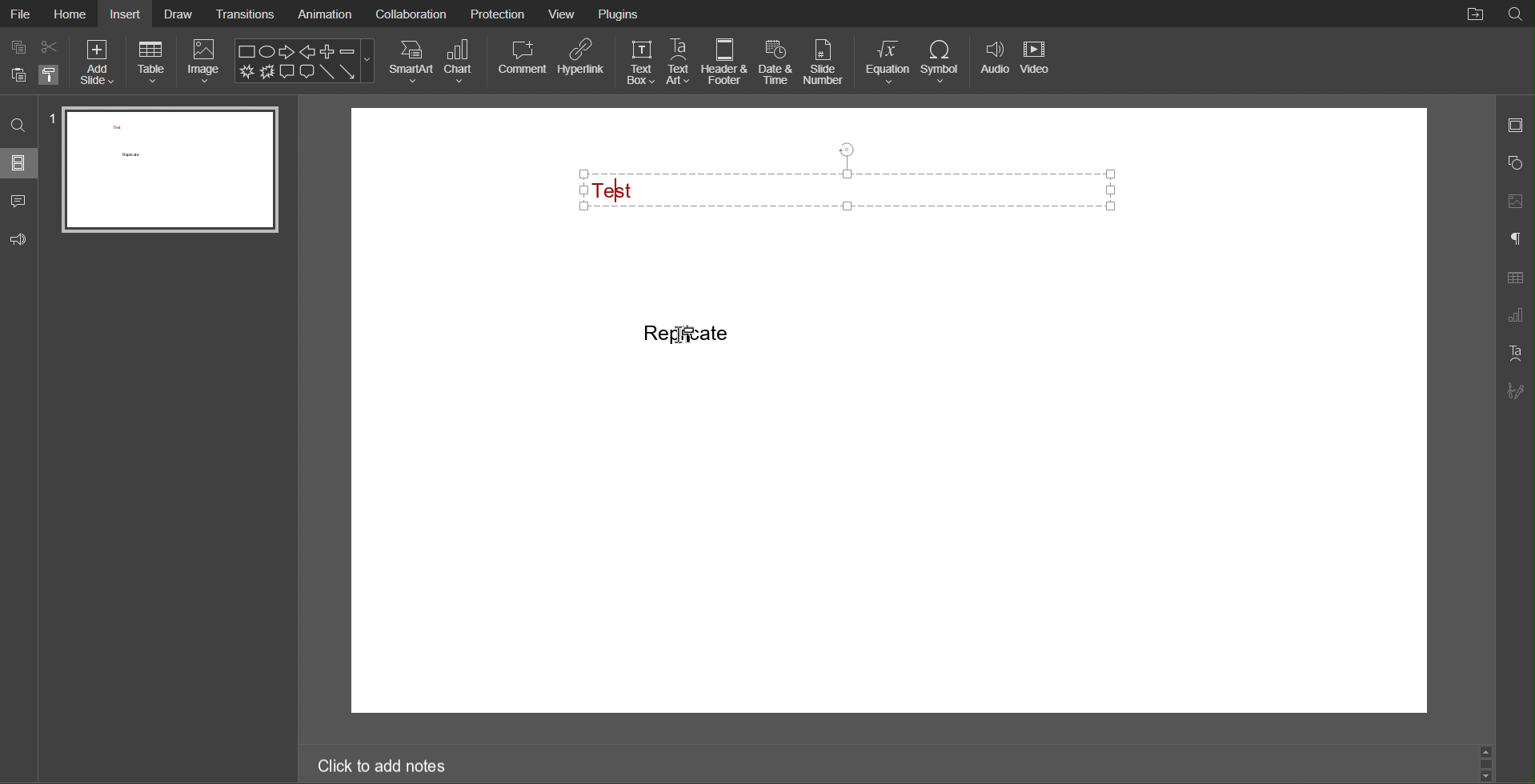 Image resolution: width=1535 pixels, height=784 pixels. What do you see at coordinates (18, 202) in the screenshot?
I see `Comment` at bounding box center [18, 202].